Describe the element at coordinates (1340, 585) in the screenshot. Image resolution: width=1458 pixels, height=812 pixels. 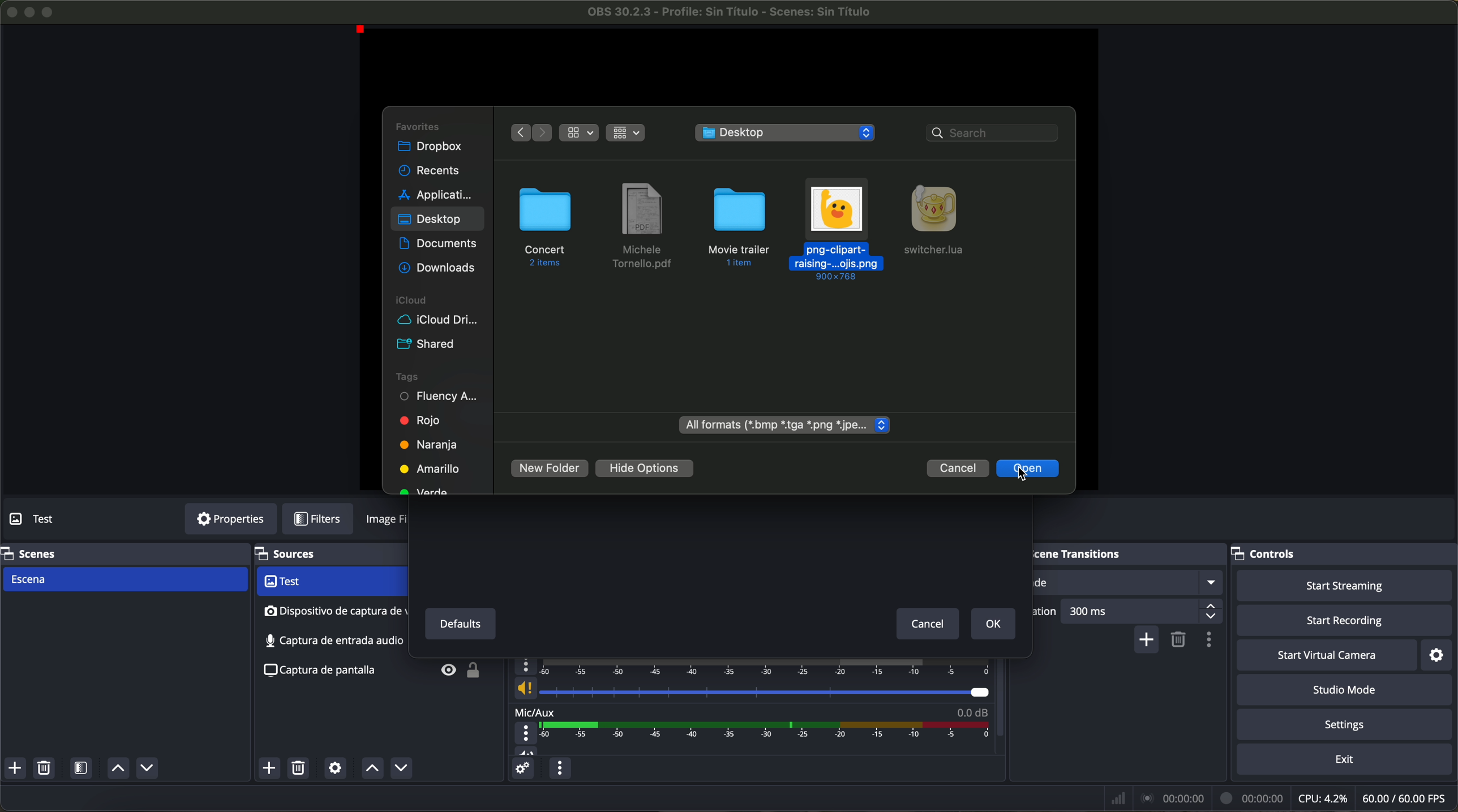
I see `start streaming` at that location.